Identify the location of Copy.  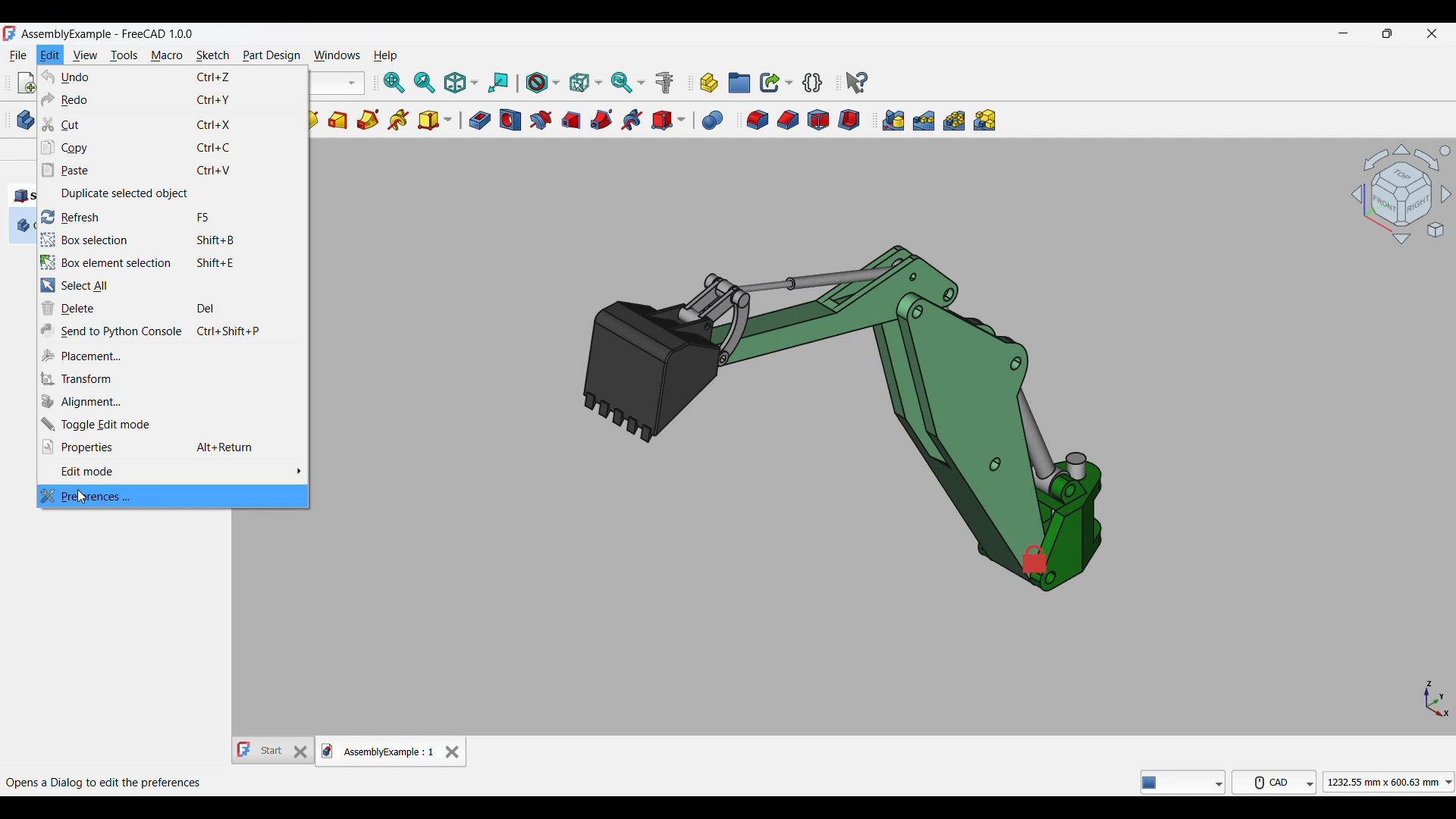
(172, 148).